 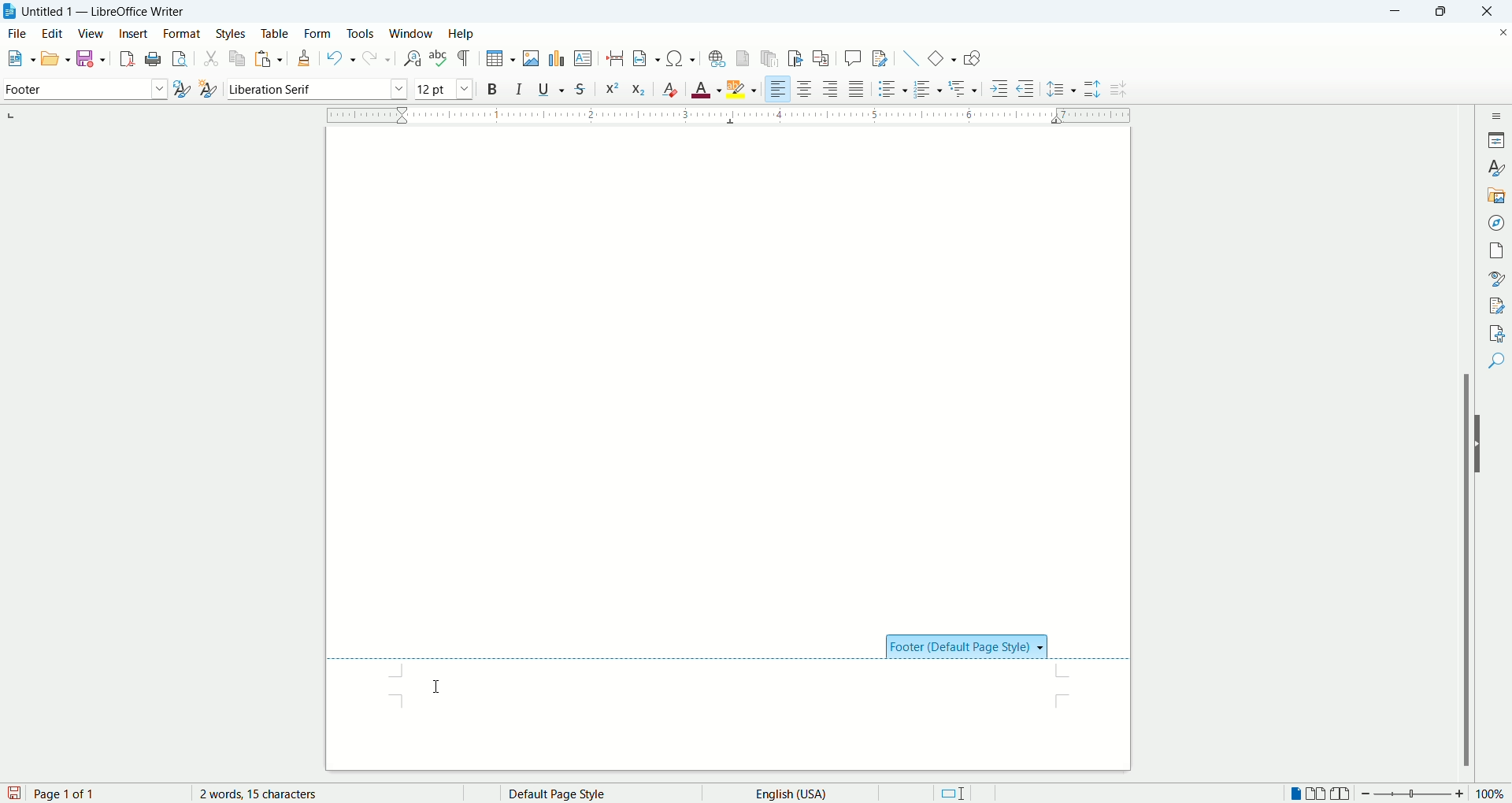 I want to click on format, so click(x=181, y=34).